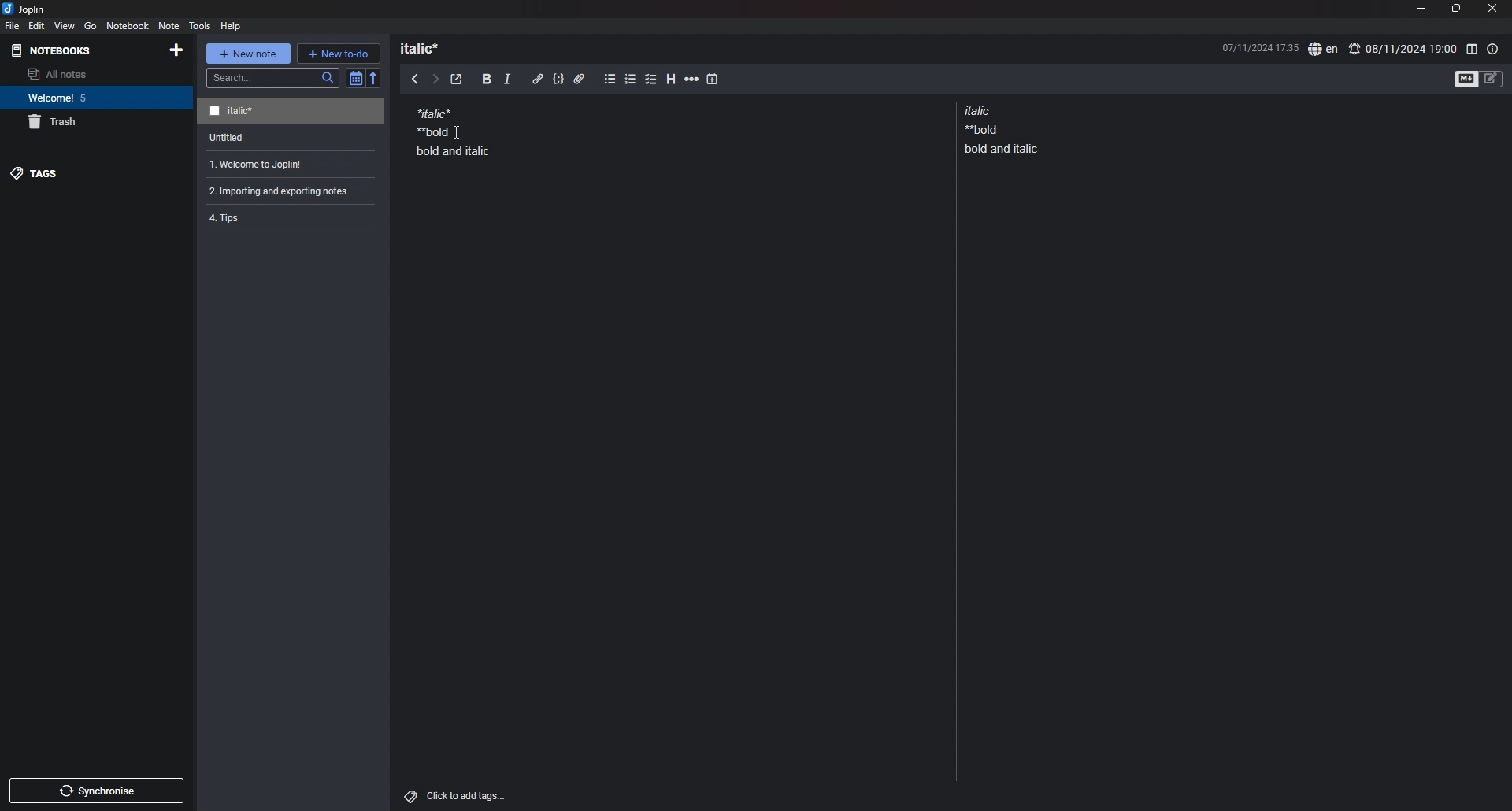 The width and height of the screenshot is (1512, 811). Describe the element at coordinates (287, 165) in the screenshot. I see `note` at that location.